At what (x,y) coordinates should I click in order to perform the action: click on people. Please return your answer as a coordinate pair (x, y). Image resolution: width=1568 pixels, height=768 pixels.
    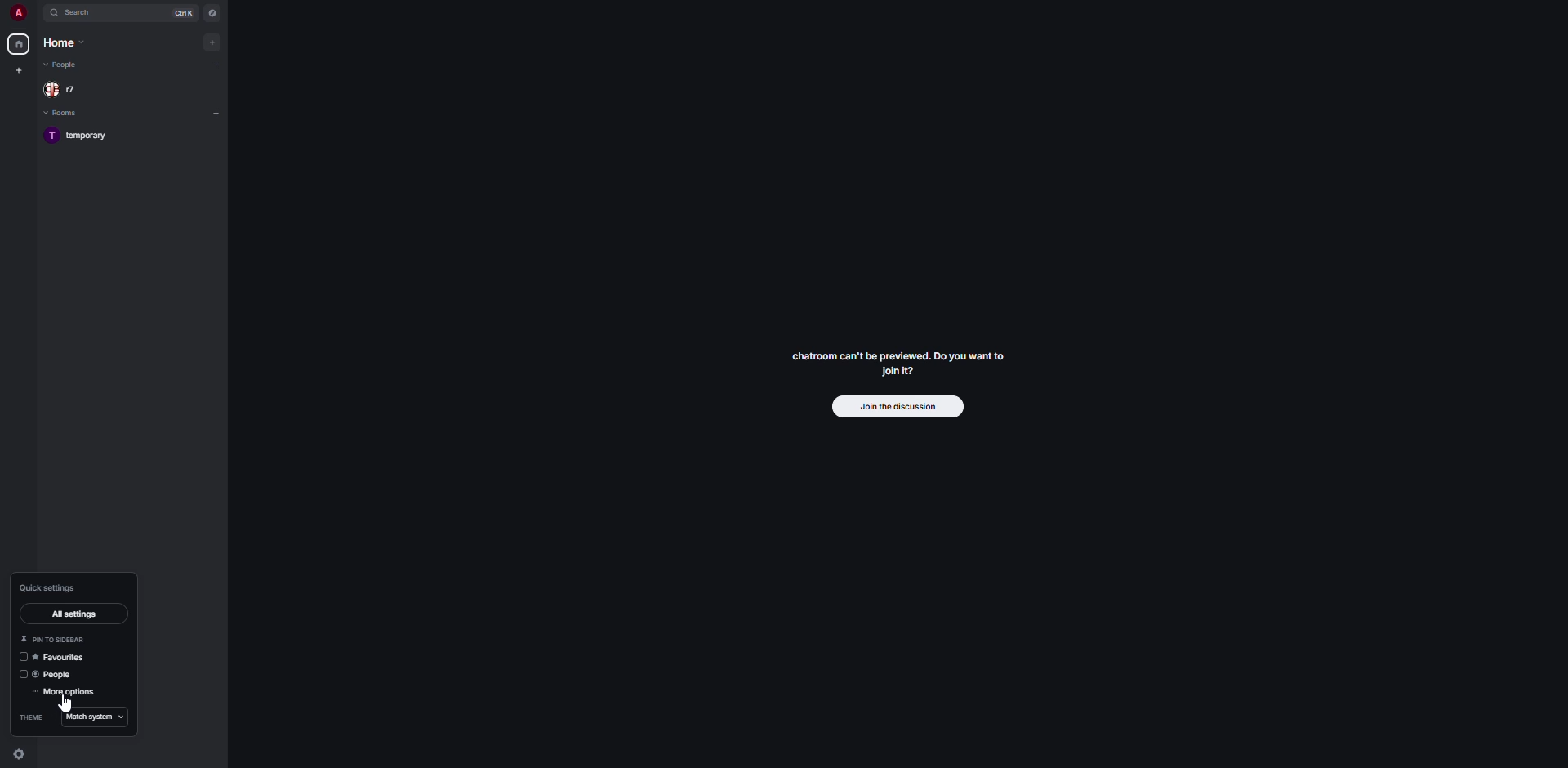
    Looking at the image, I should click on (66, 66).